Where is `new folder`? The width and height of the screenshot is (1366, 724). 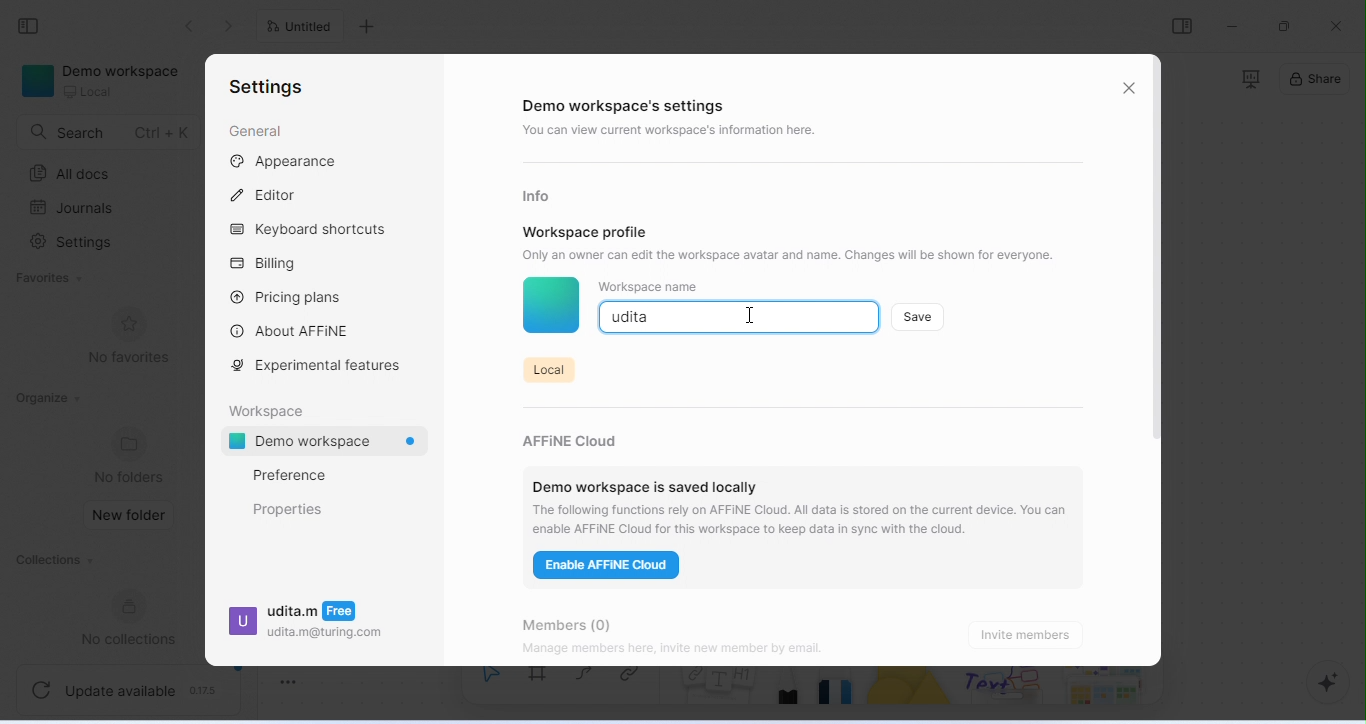
new folder is located at coordinates (131, 516).